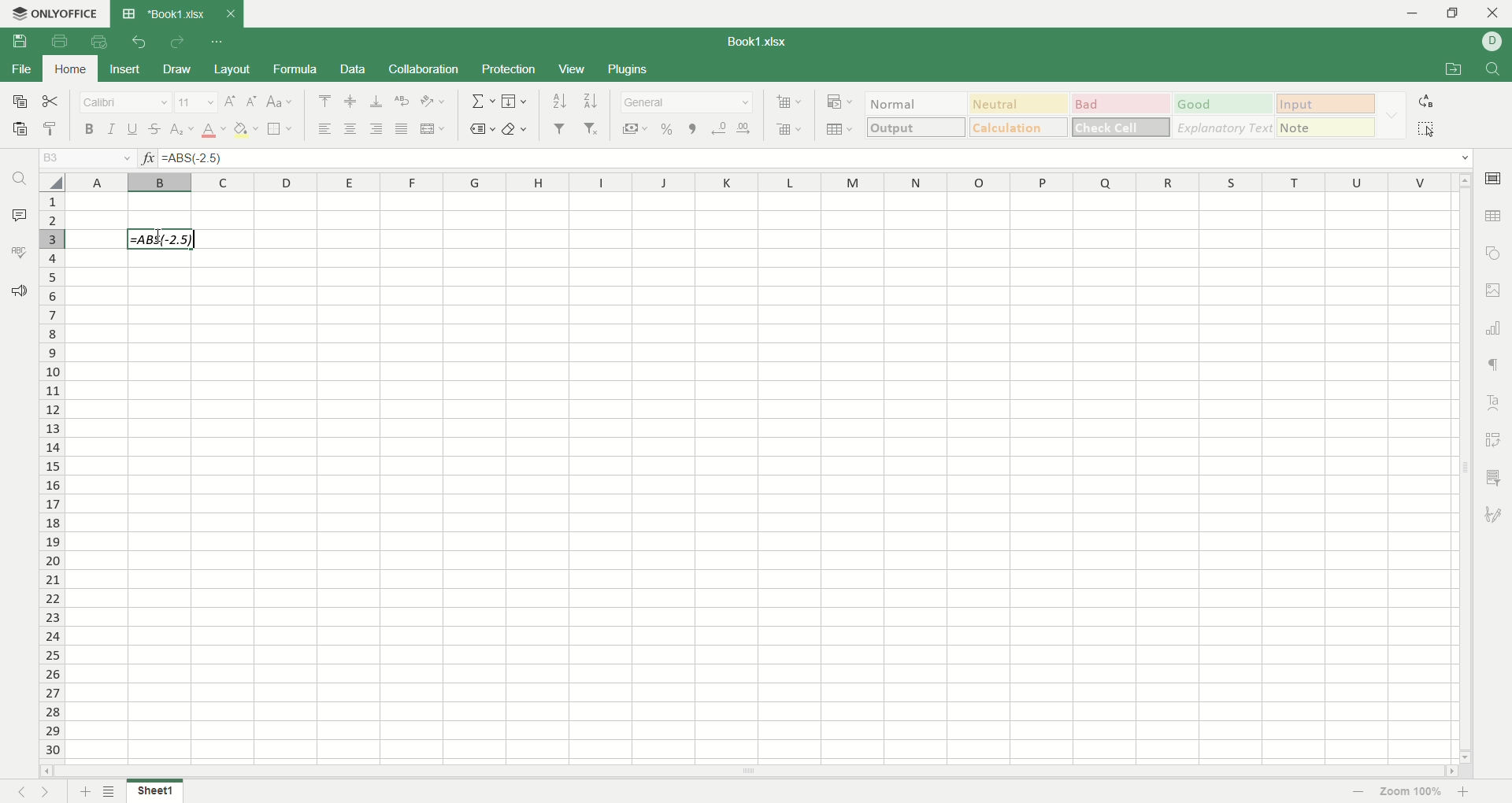 Image resolution: width=1512 pixels, height=803 pixels. I want to click on vertical scroll bar, so click(1466, 470).